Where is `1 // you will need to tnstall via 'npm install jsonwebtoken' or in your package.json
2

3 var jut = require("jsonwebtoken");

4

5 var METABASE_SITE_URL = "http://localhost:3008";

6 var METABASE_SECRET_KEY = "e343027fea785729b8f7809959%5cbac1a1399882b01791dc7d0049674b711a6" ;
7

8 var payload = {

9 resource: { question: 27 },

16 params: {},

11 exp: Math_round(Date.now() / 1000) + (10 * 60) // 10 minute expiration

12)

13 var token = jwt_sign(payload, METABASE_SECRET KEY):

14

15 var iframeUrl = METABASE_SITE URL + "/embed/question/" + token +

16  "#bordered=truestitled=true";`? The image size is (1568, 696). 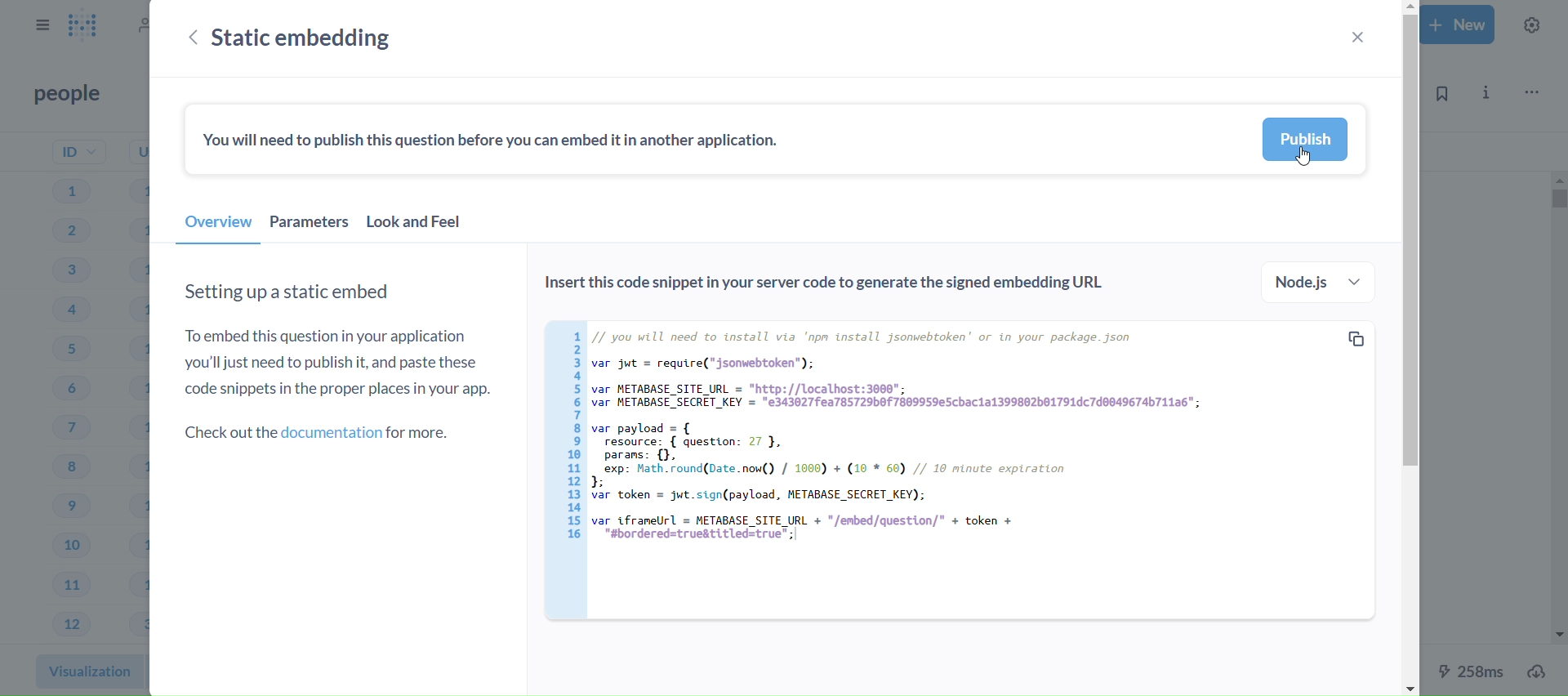
1 // you will need to tnstall via 'npm install jsonwebtoken' or in your package.json
2

3 var jut = require("jsonwebtoken");

4

5 var METABASE_SITE_URL = "http://localhost:3008";

6 var METABASE_SECRET_KEY = "e343027fea785729b8f7809959%5cbac1a1399882b01791dc7d0049674b711a6" ;
7

8 var payload = {

9 resource: { question: 27 },

16 params: {},

11 exp: Math_round(Date.now() / 1000) + (10 * 60) // 10 minute expiration

12)

13 var token = jwt_sign(payload, METABASE_SECRET KEY):

14

15 var iframeUrl = METABASE_SITE URL + "/embed/question/" + token +

16  "#bordered=truestitled=true"; is located at coordinates (926, 454).